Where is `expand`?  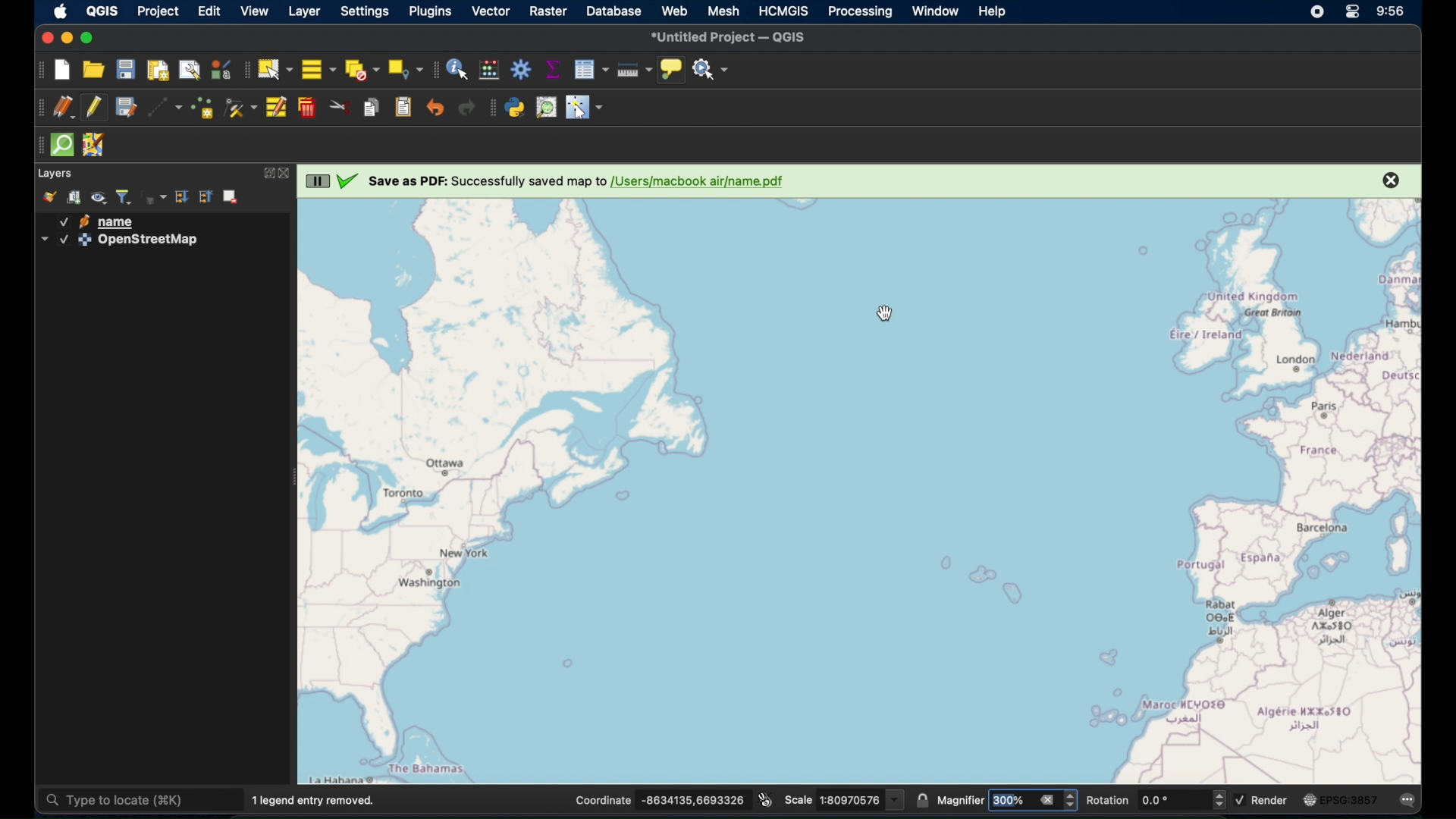 expand is located at coordinates (265, 174).